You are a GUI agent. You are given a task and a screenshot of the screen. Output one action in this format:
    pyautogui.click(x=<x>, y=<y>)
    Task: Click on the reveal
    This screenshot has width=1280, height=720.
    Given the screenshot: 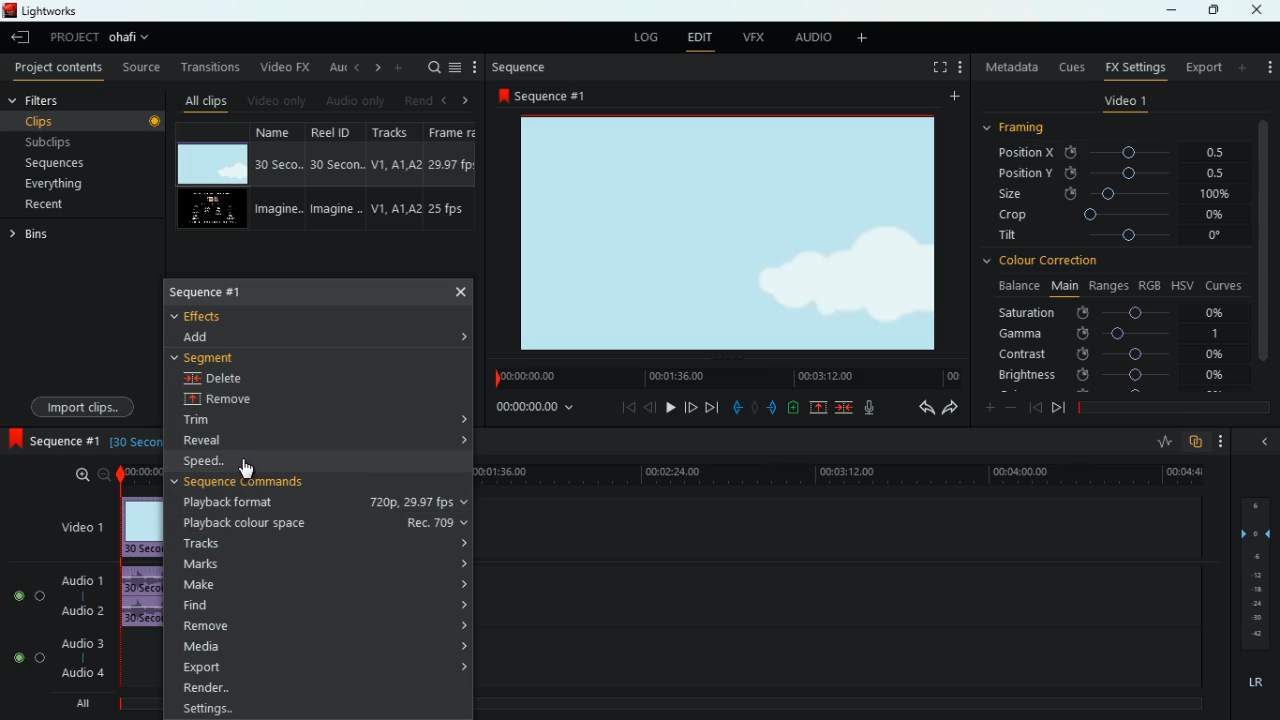 What is the action you would take?
    pyautogui.click(x=208, y=440)
    